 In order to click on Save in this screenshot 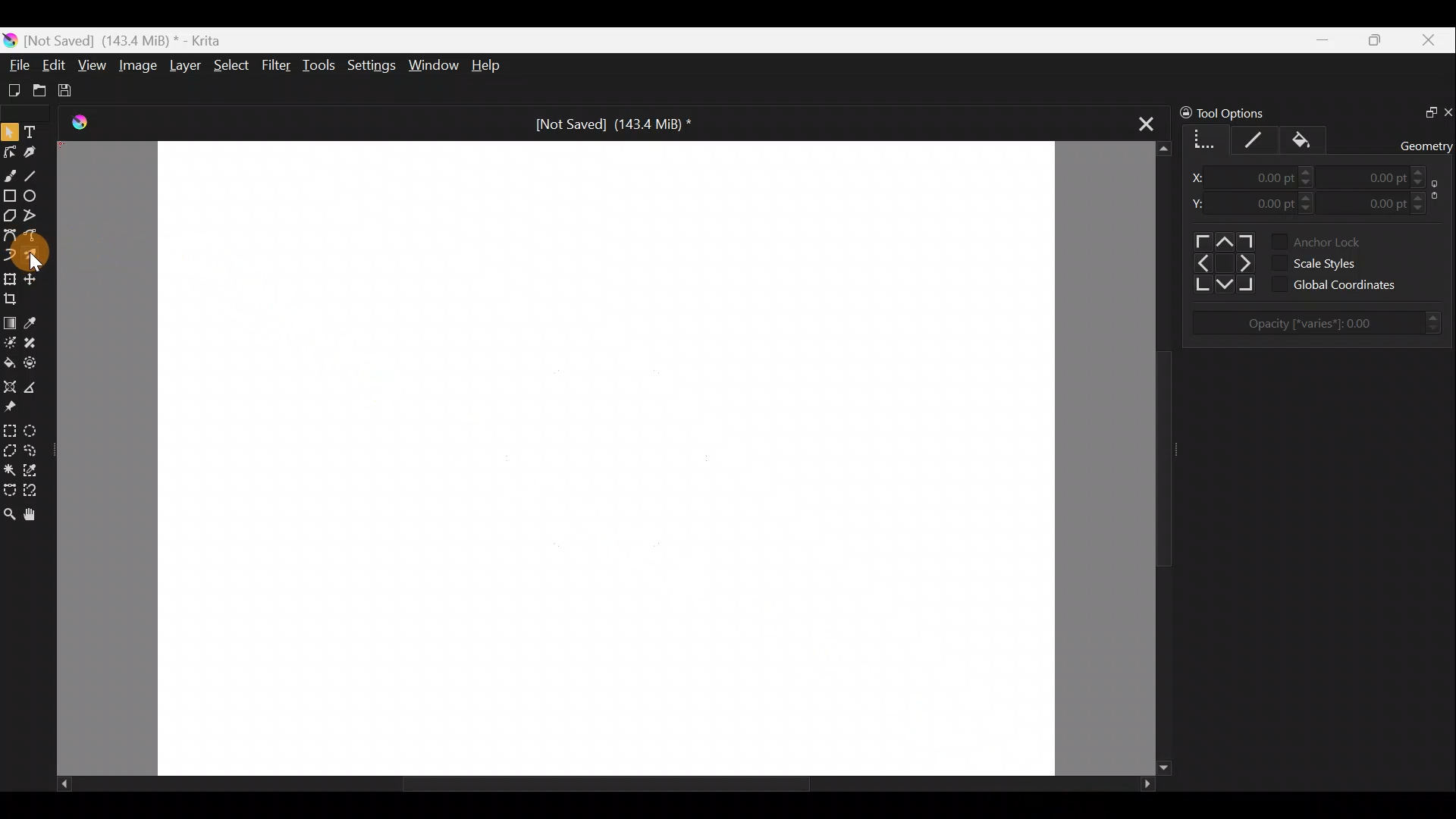, I will do `click(70, 91)`.